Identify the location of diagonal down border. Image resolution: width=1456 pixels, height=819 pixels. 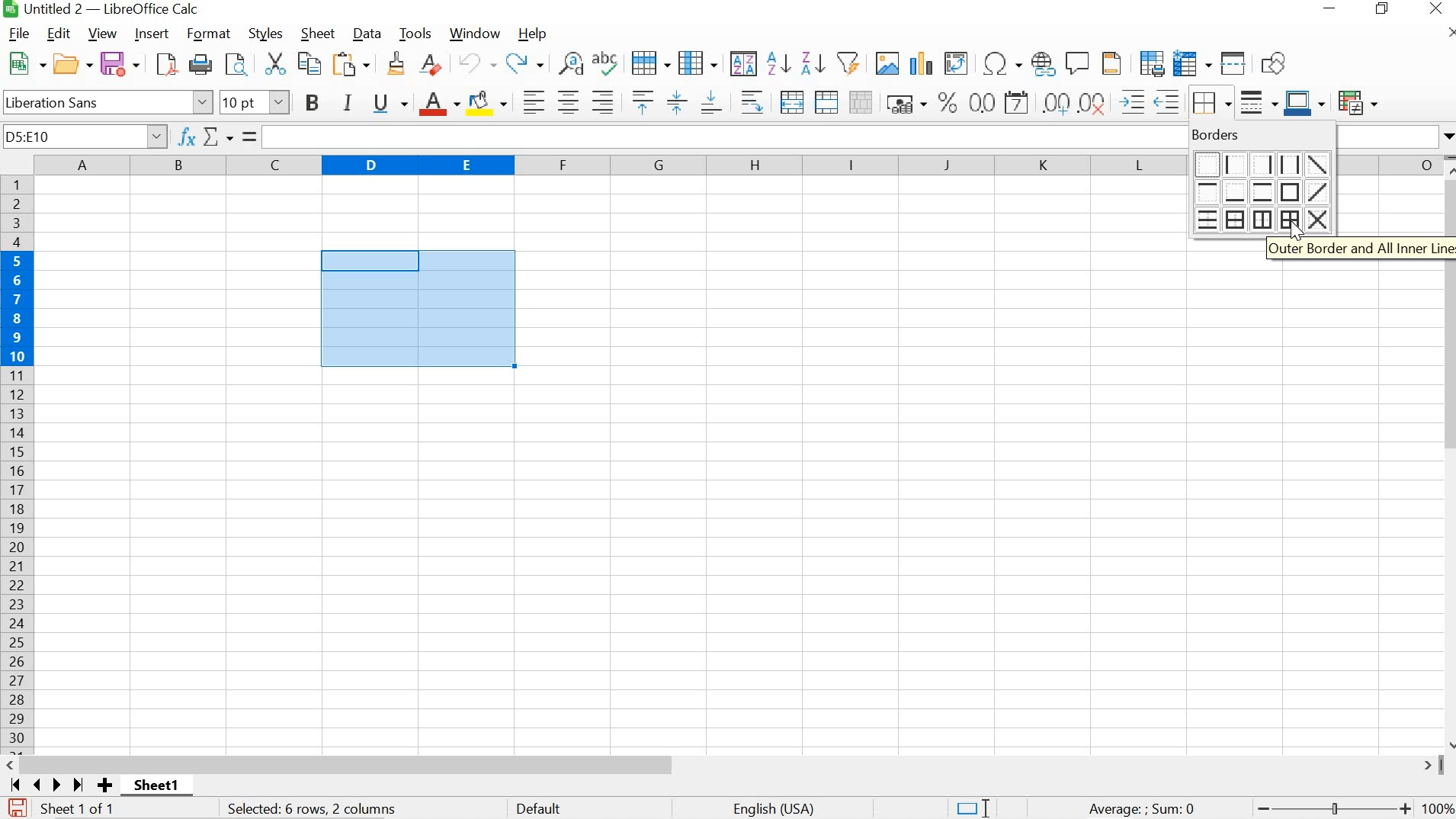
(1320, 165).